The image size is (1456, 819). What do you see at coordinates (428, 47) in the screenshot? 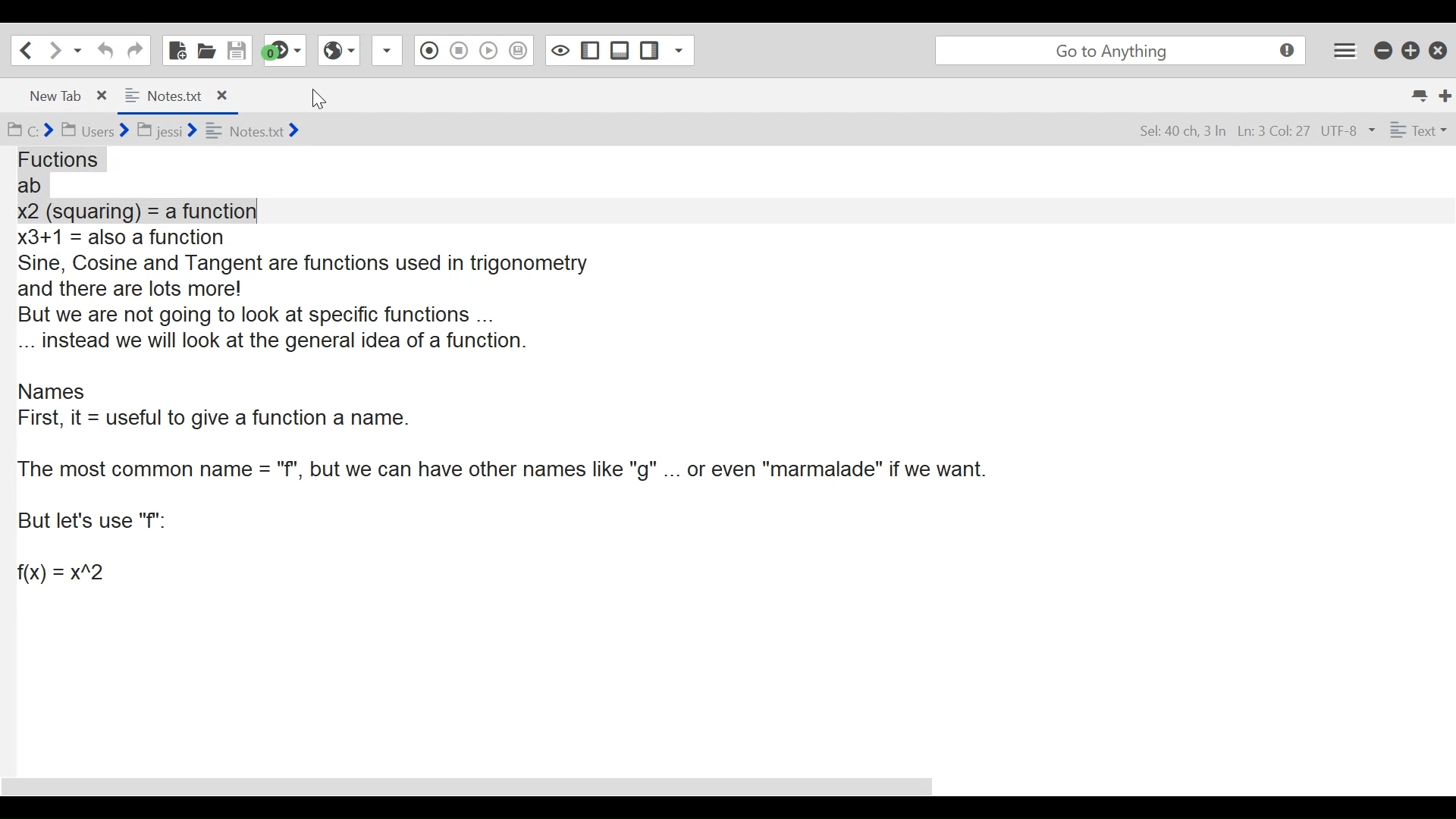
I see `pause` at bounding box center [428, 47].